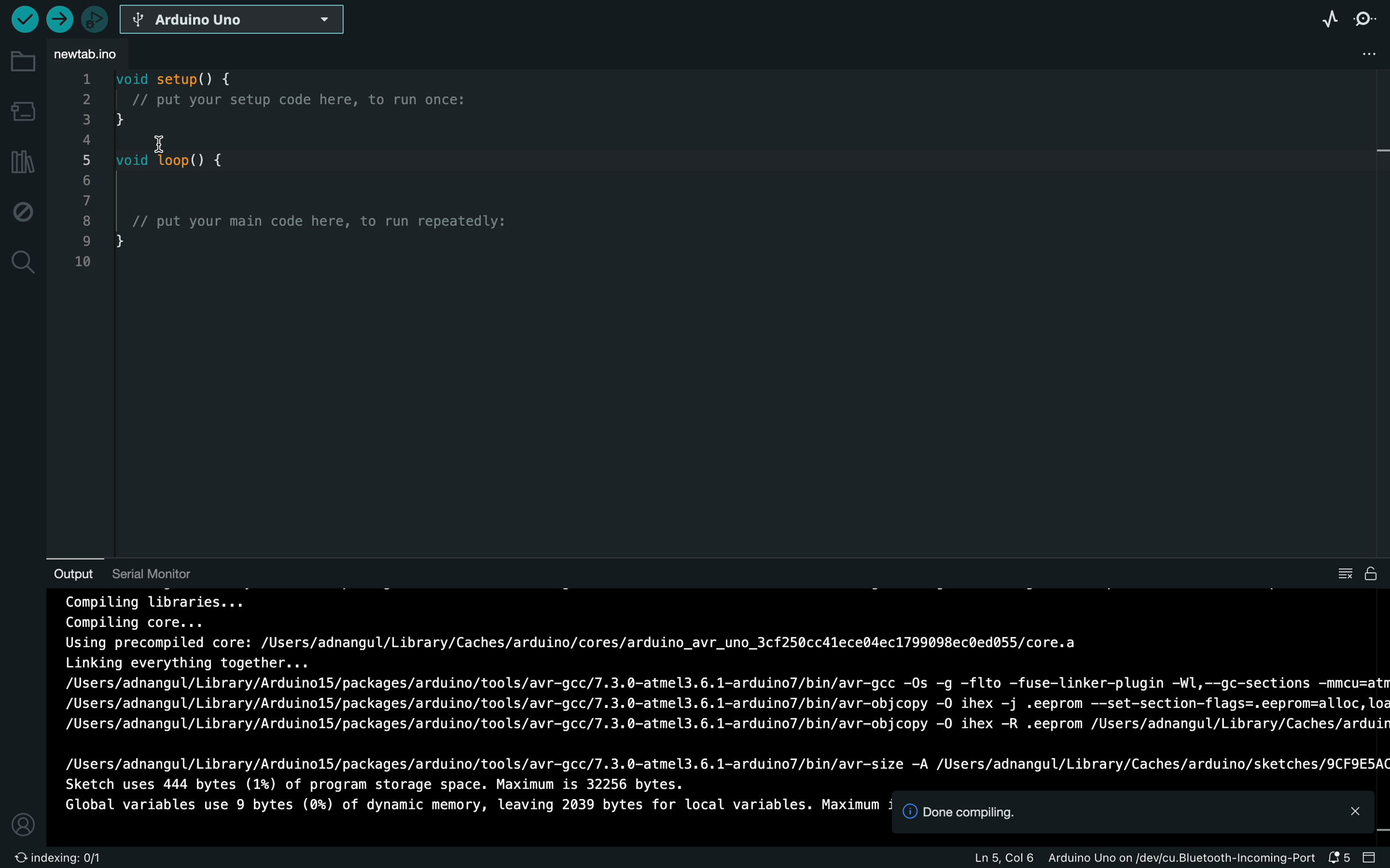 Image resolution: width=1390 pixels, height=868 pixels. I want to click on profile, so click(22, 823).